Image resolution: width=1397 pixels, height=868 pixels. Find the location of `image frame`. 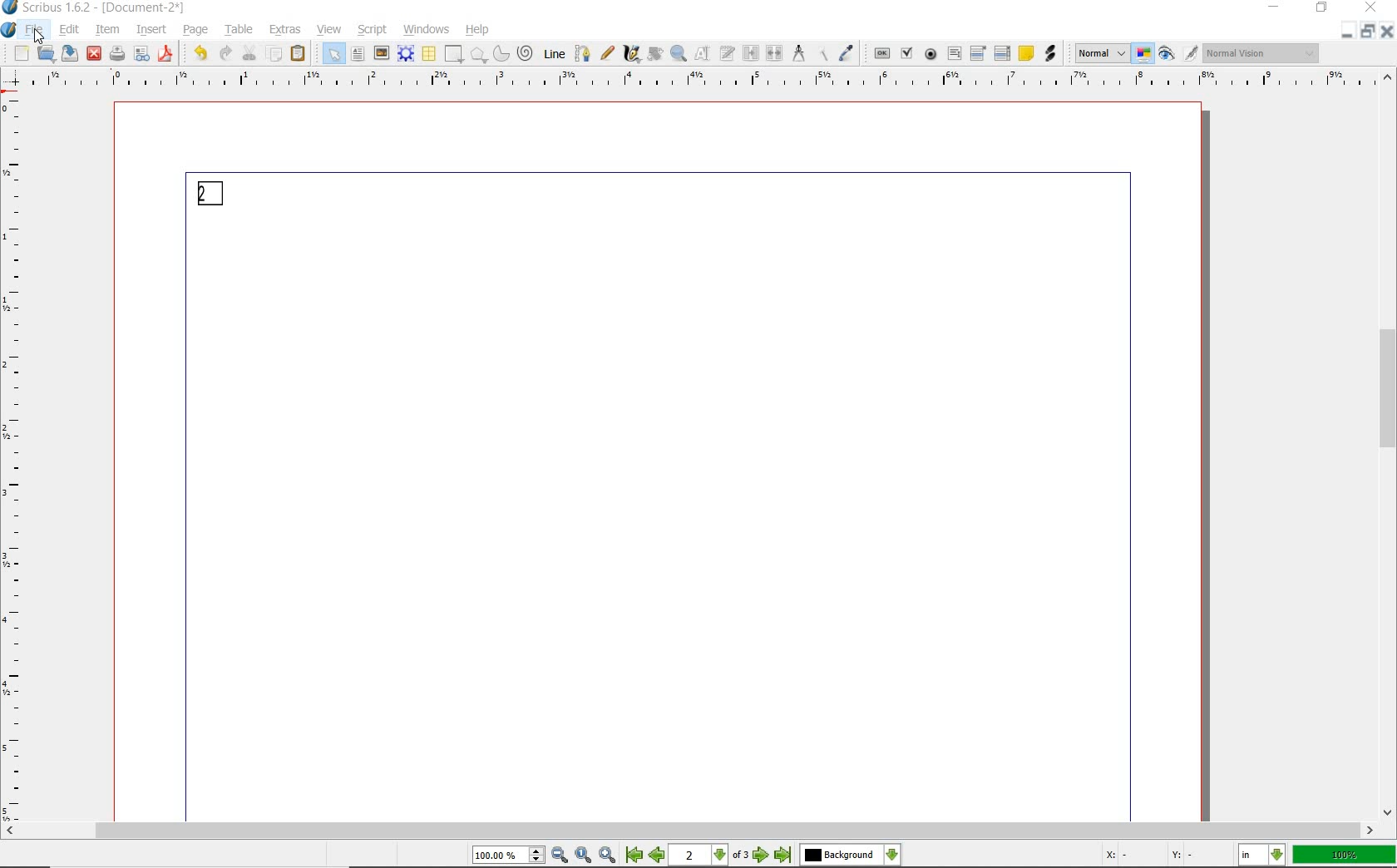

image frame is located at coordinates (380, 54).